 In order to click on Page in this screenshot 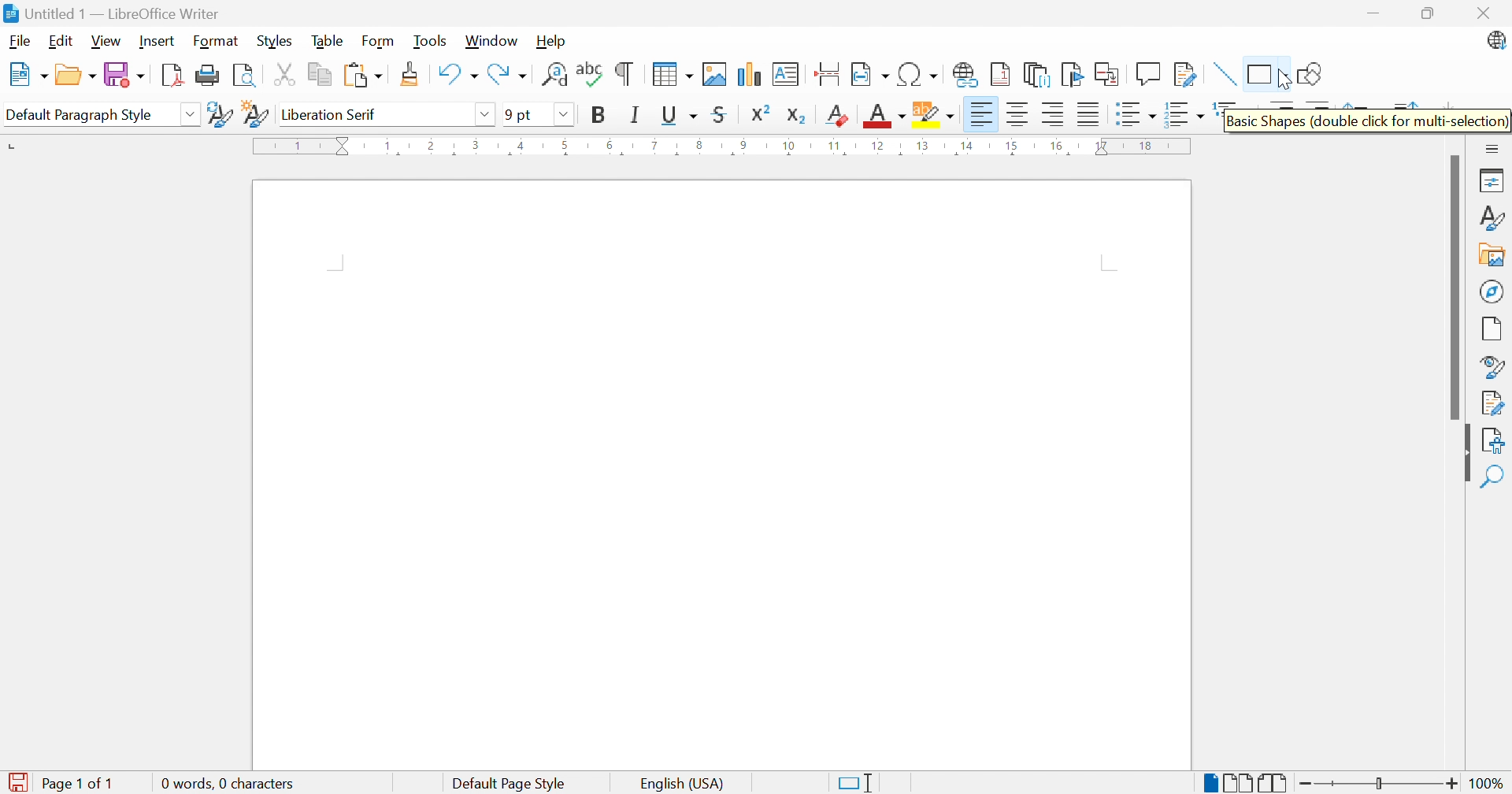, I will do `click(1492, 331)`.